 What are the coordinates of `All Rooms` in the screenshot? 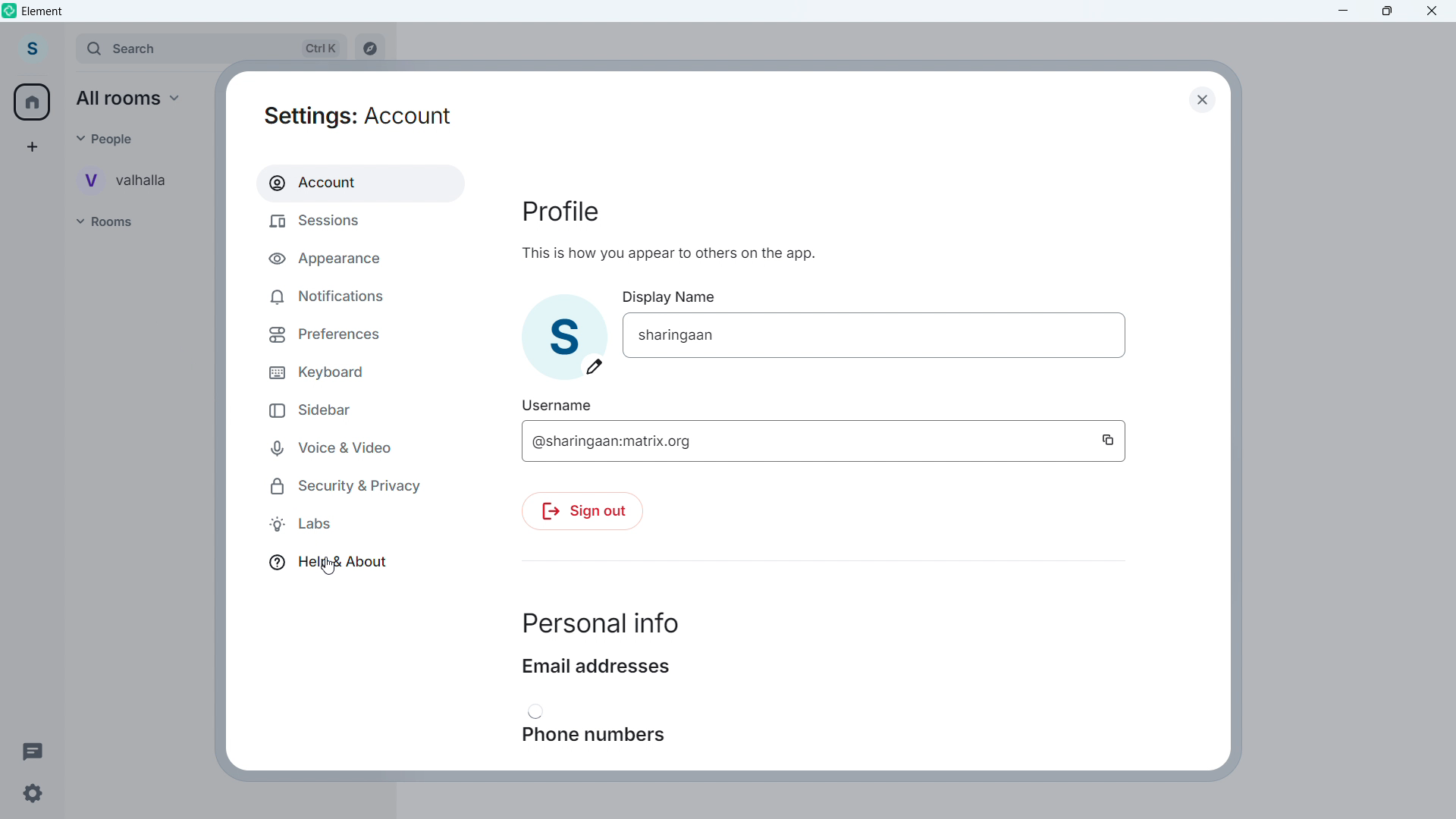 It's located at (134, 99).